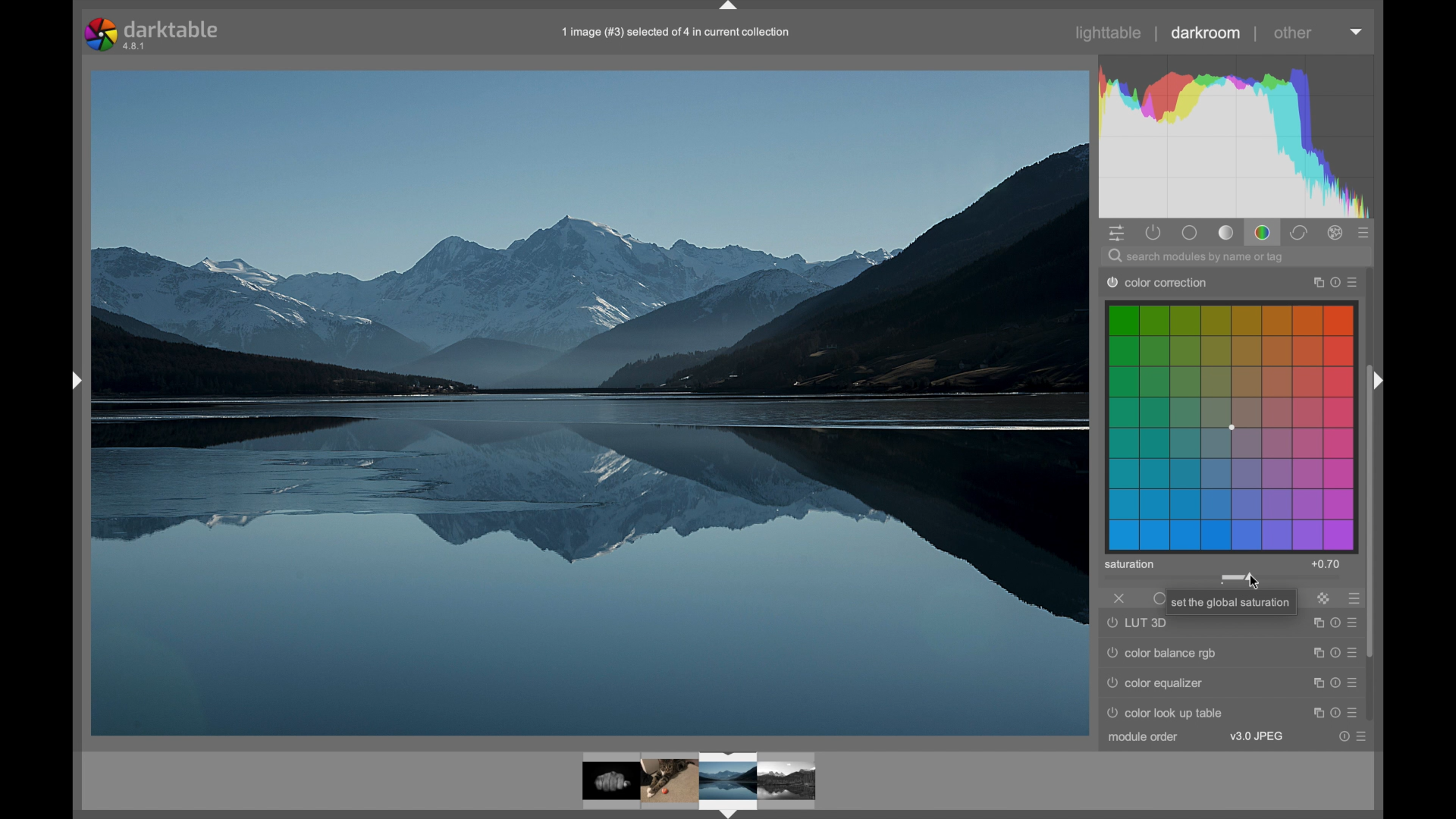 The image size is (1456, 819). What do you see at coordinates (671, 780) in the screenshot?
I see `image` at bounding box center [671, 780].